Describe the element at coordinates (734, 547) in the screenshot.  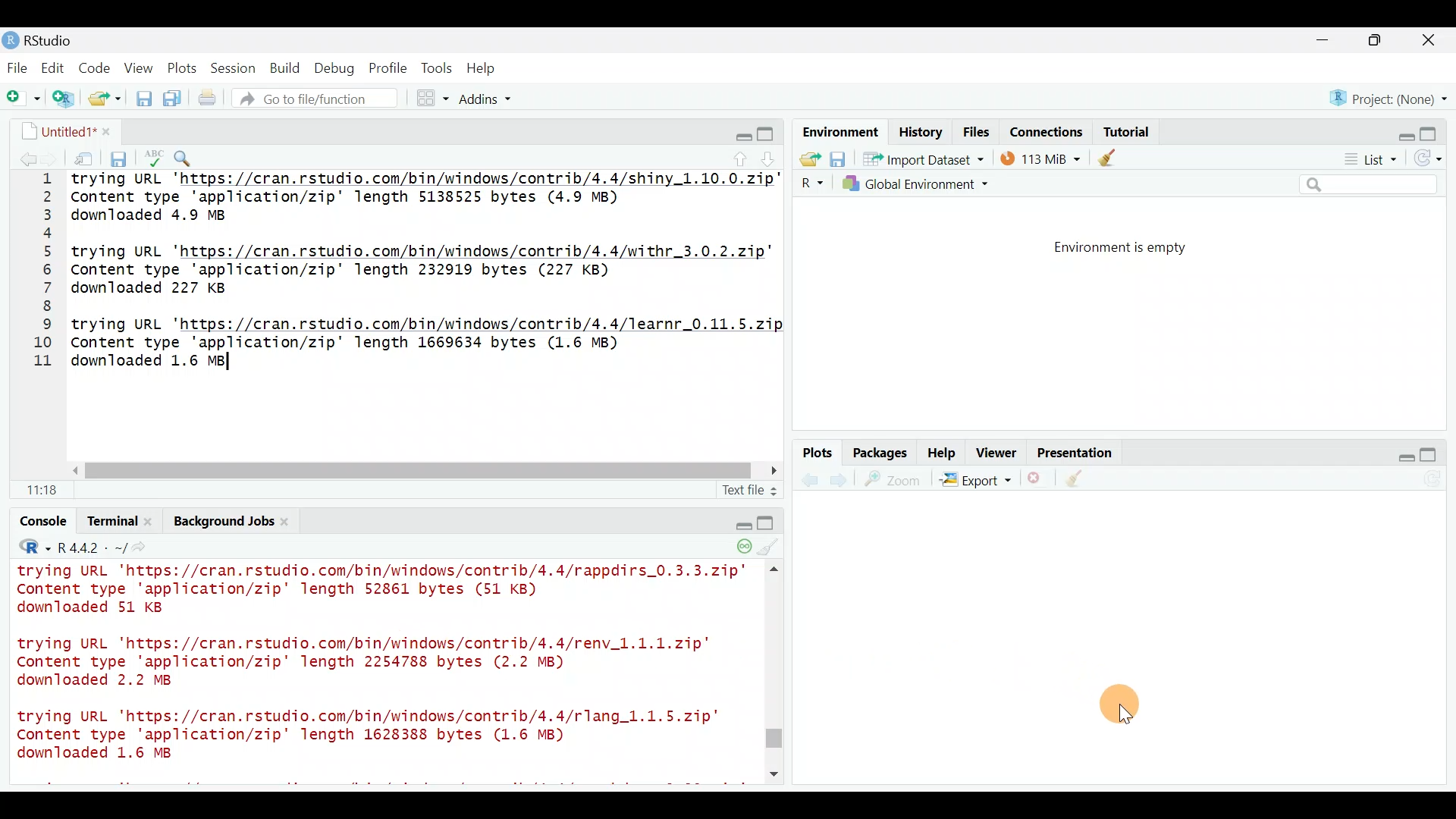
I see `Session suspend timeout paused` at that location.